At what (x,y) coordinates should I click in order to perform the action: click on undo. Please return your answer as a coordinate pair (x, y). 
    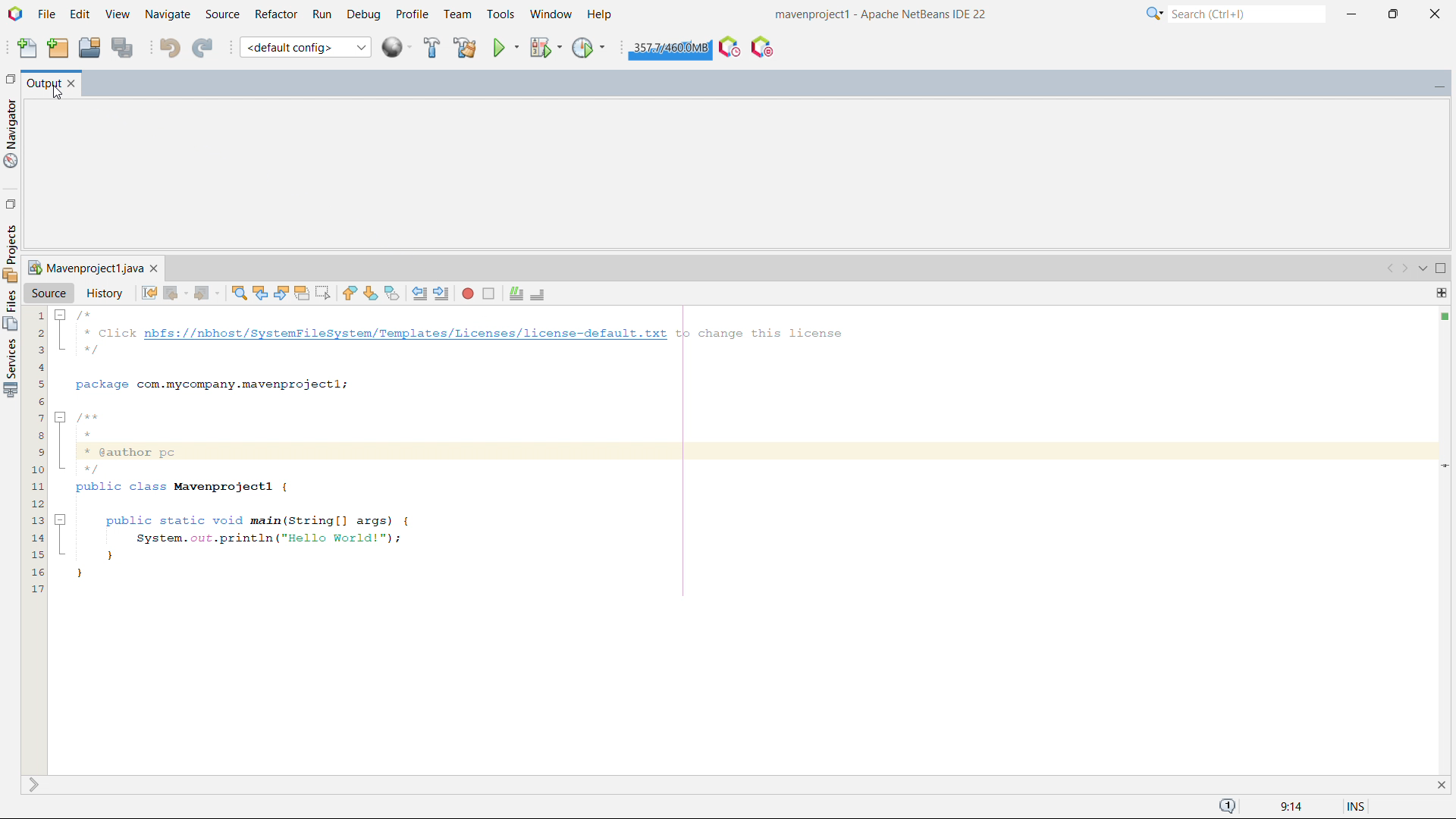
    Looking at the image, I should click on (170, 47).